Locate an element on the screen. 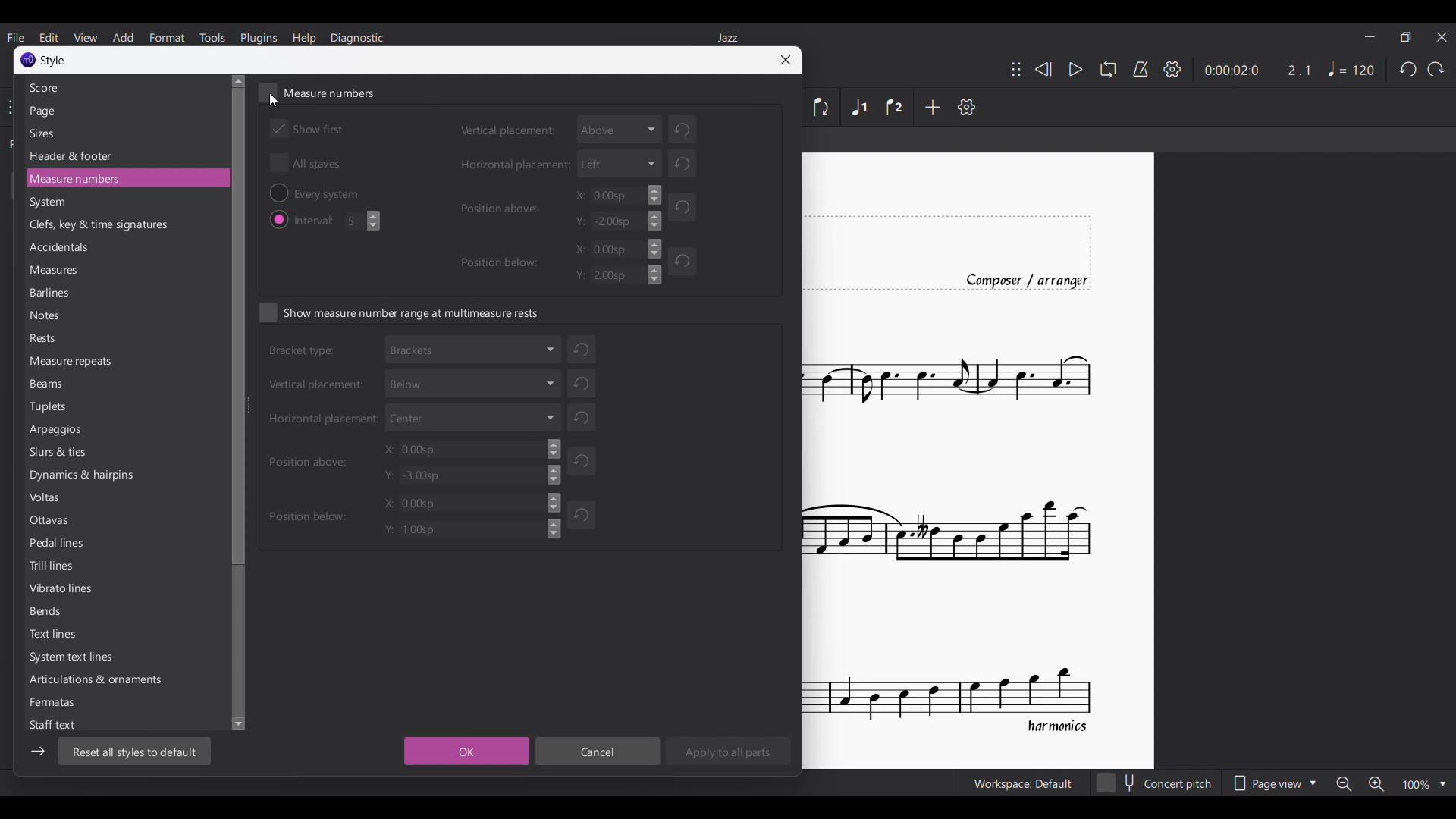  Undo changes made to respective setting is located at coordinates (692, 128).